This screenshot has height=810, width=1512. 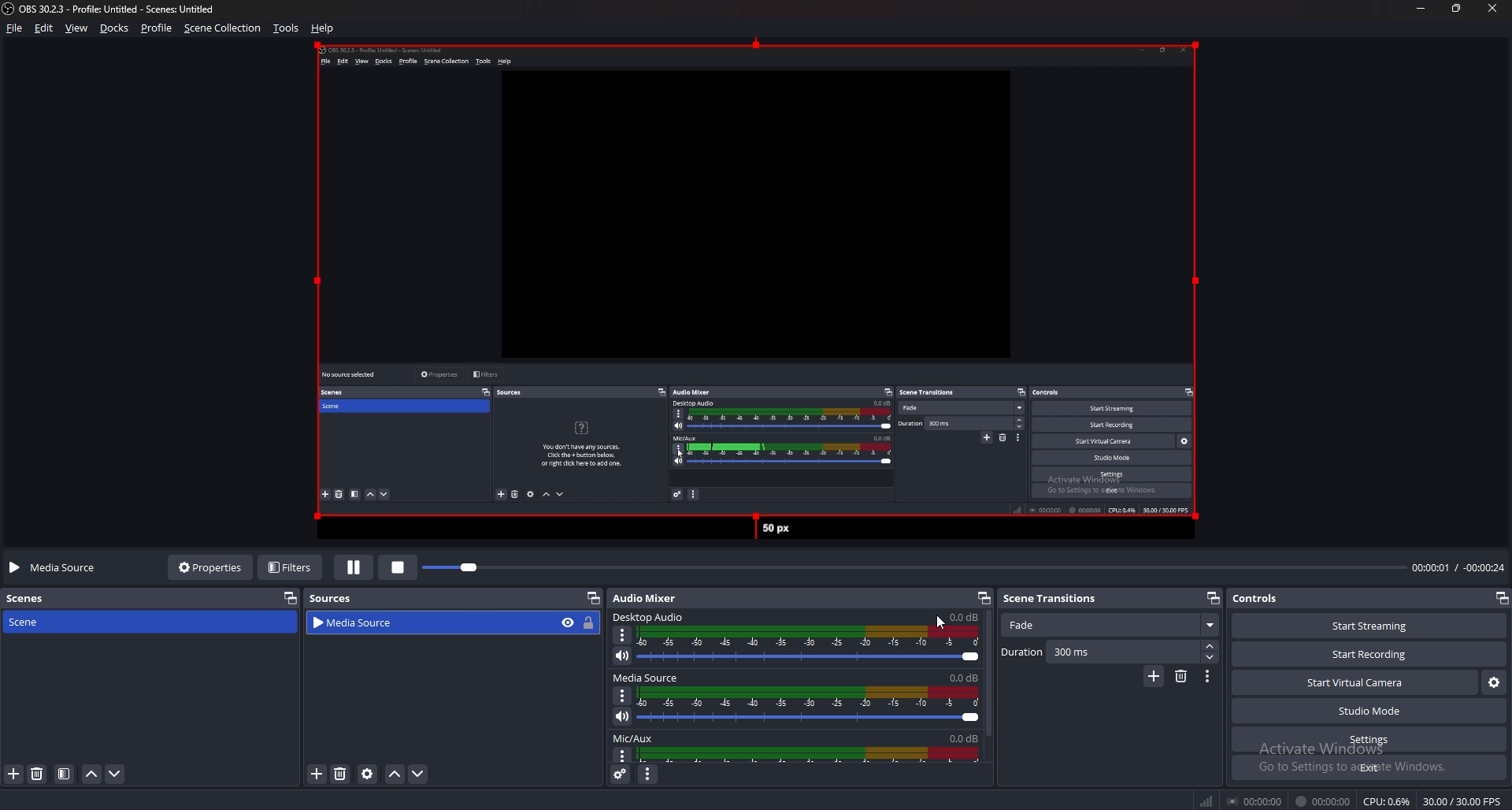 What do you see at coordinates (1206, 801) in the screenshot?
I see `Signal` at bounding box center [1206, 801].